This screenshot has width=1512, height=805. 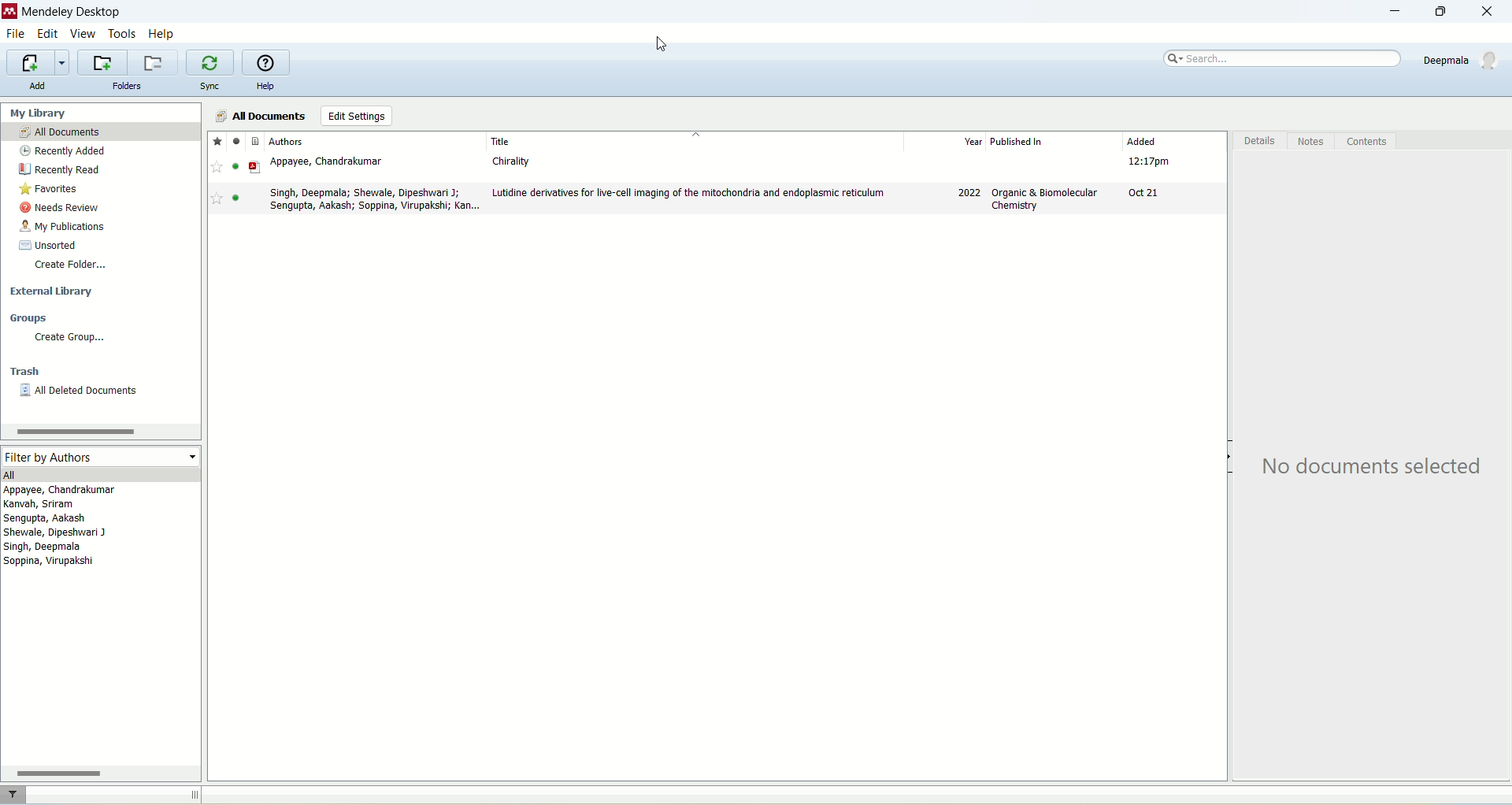 I want to click on minimize, so click(x=1398, y=12).